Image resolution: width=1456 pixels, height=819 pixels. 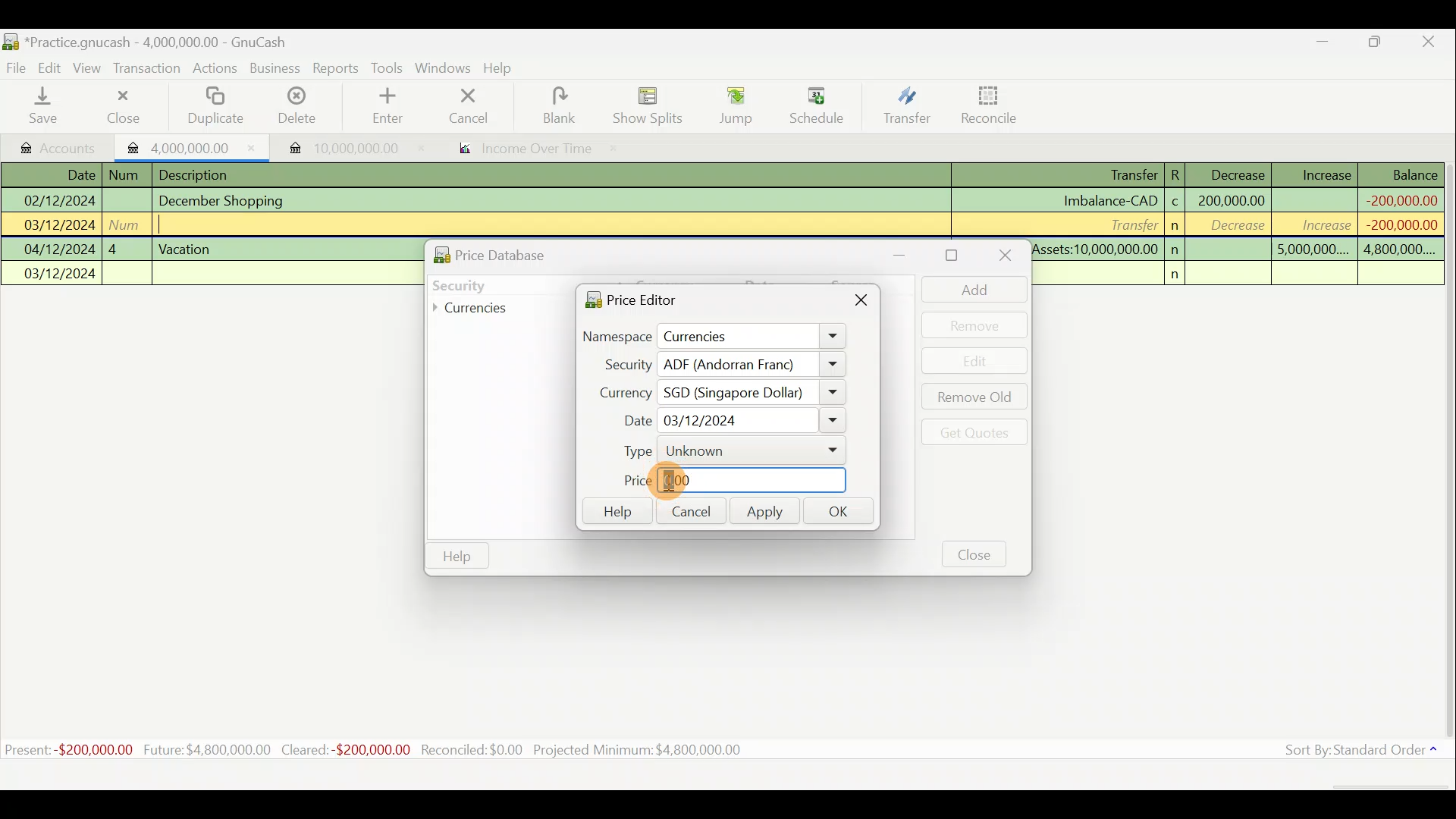 What do you see at coordinates (727, 421) in the screenshot?
I see `Date` at bounding box center [727, 421].